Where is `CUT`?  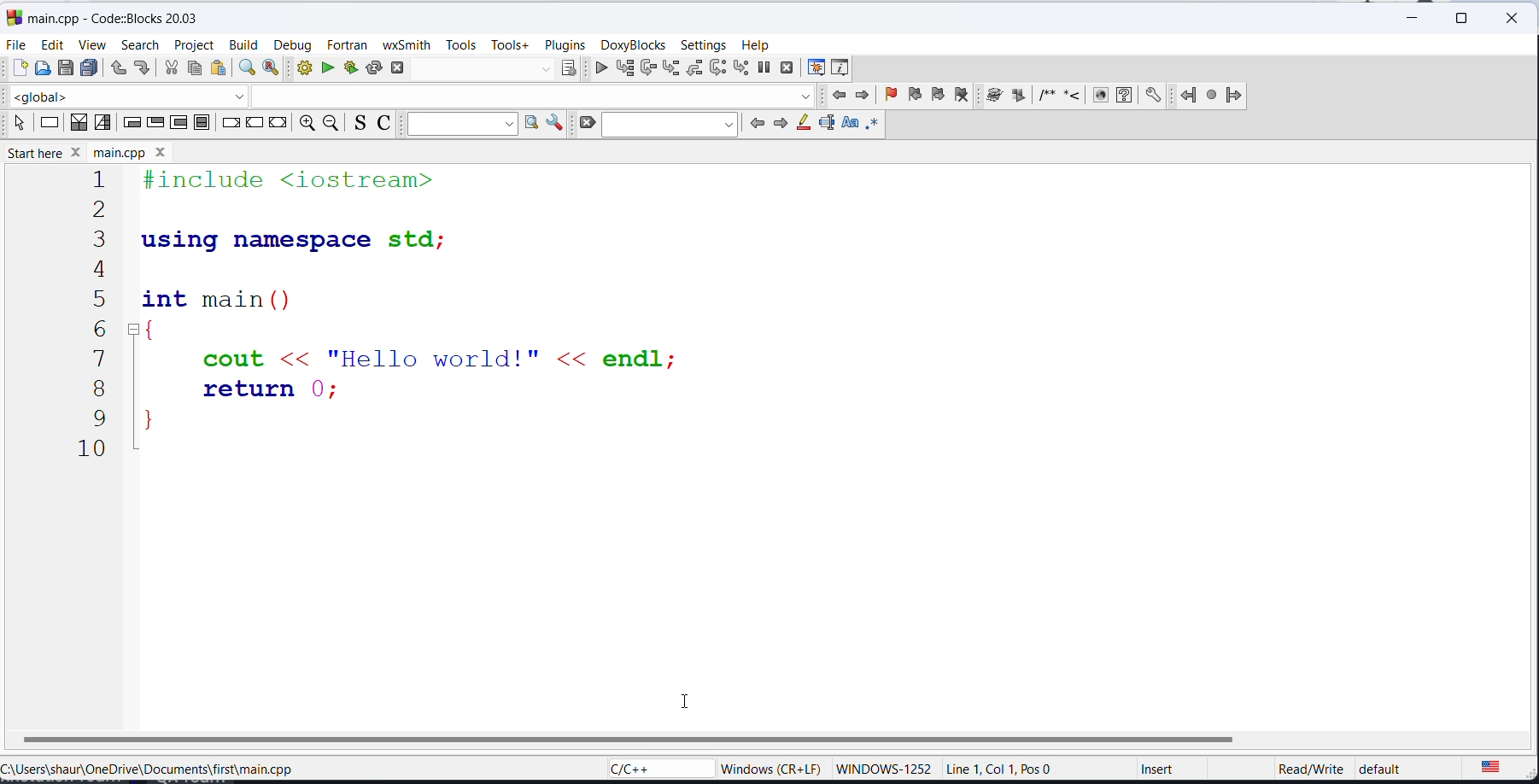 CUT is located at coordinates (170, 69).